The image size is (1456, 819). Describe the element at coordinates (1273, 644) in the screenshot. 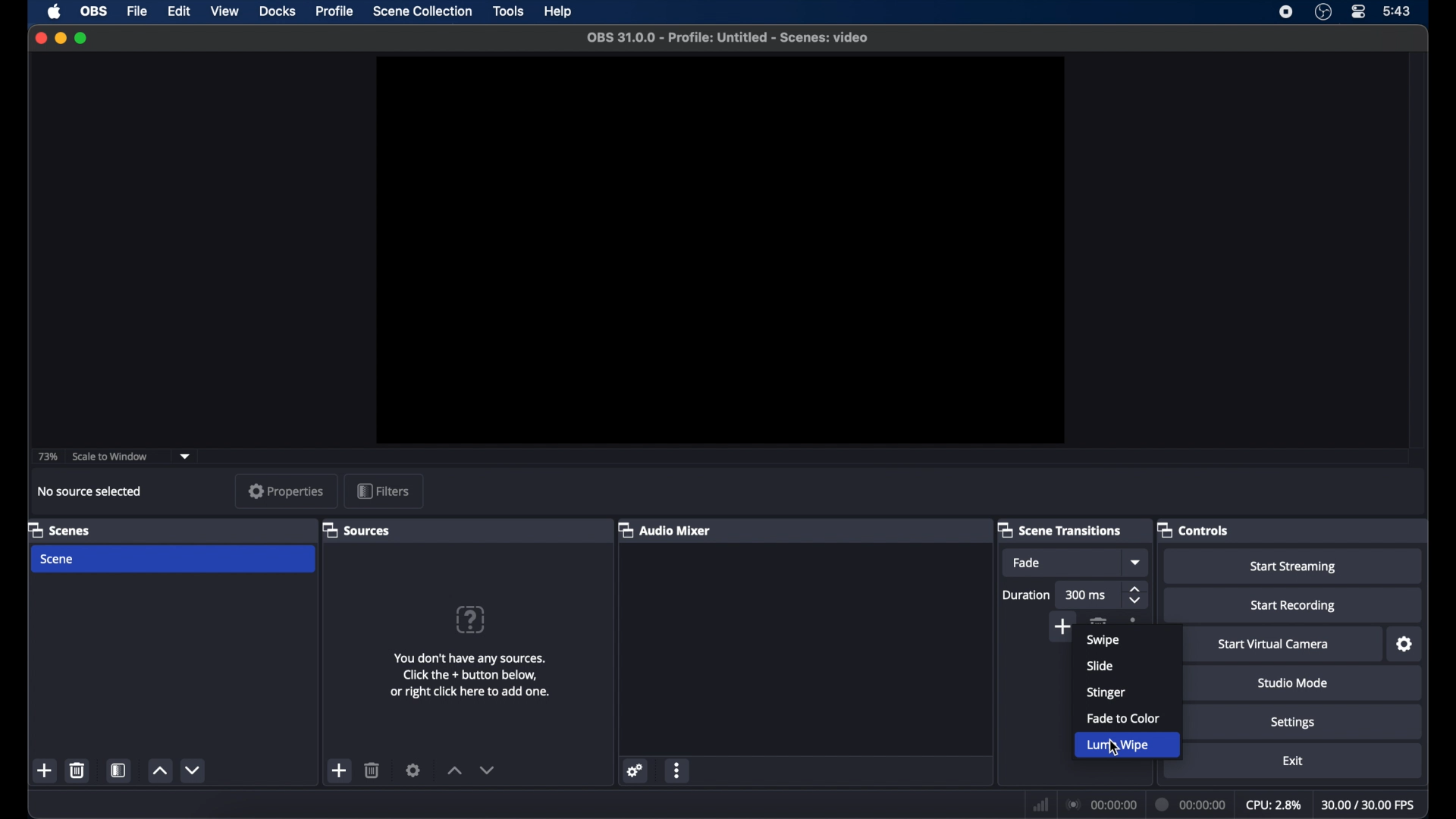

I see `start virtual camera` at that location.